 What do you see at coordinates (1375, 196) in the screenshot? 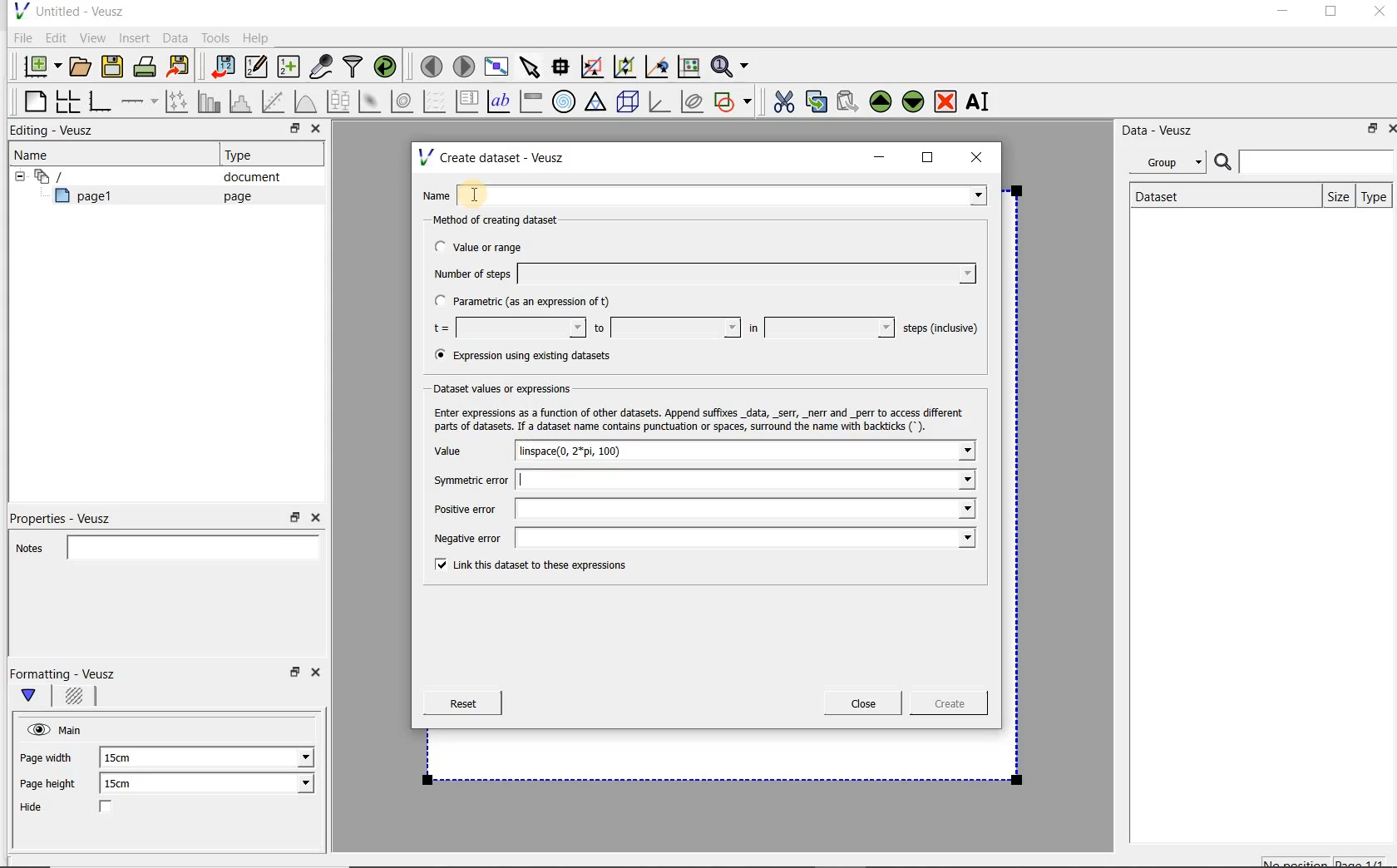
I see `Type` at bounding box center [1375, 196].